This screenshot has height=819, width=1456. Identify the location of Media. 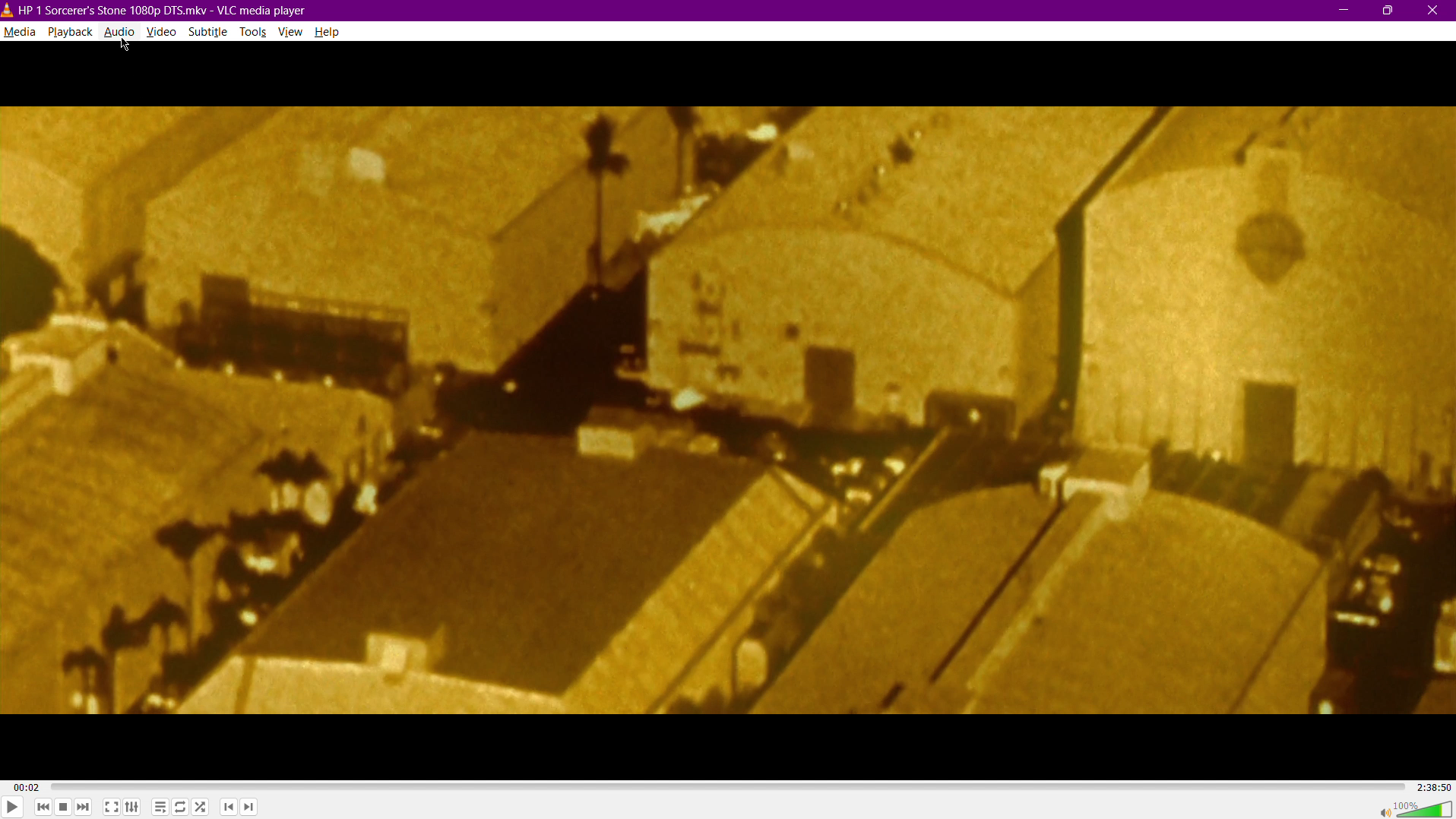
(19, 32).